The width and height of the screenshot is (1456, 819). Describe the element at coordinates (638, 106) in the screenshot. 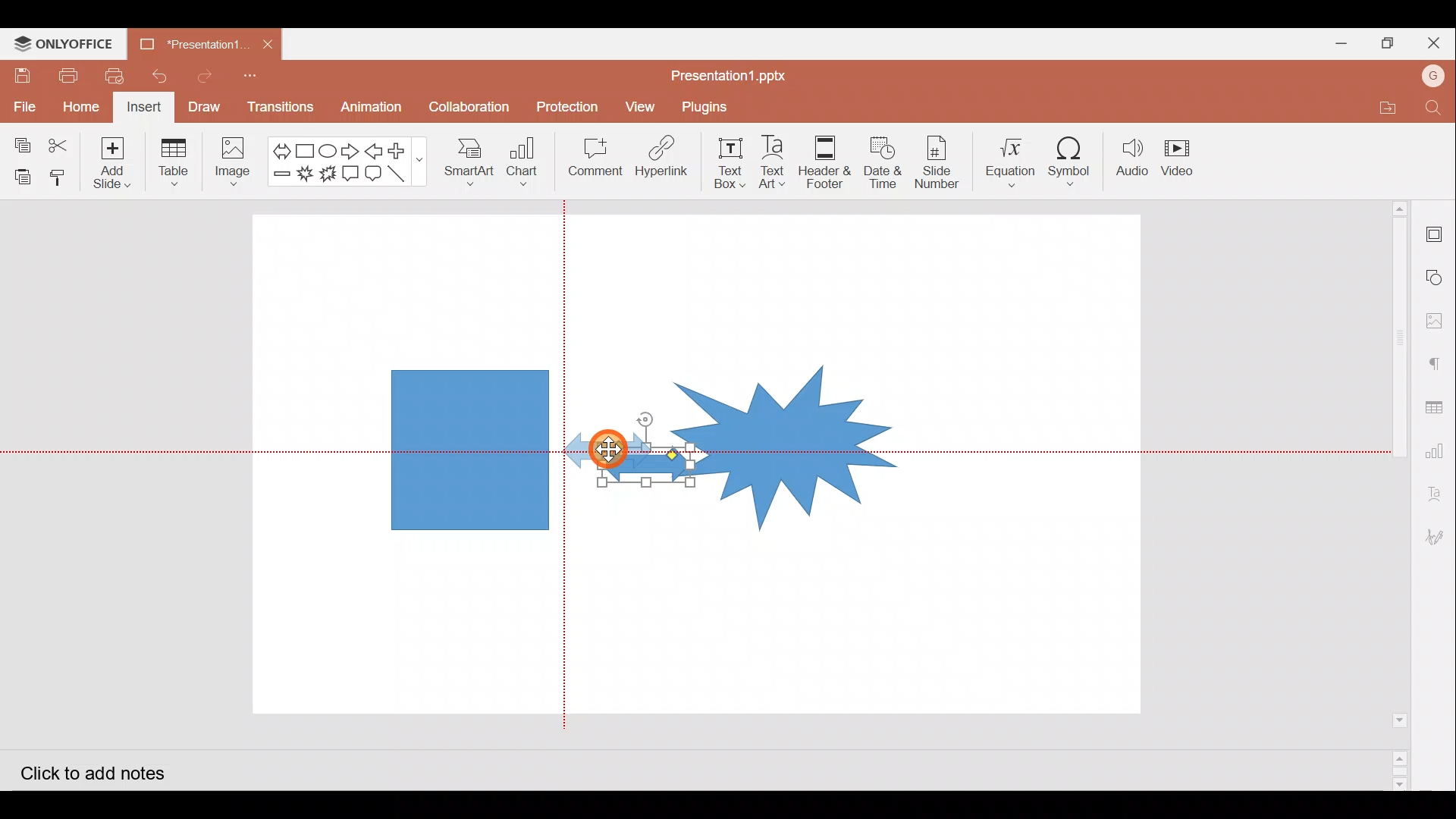

I see `View` at that location.